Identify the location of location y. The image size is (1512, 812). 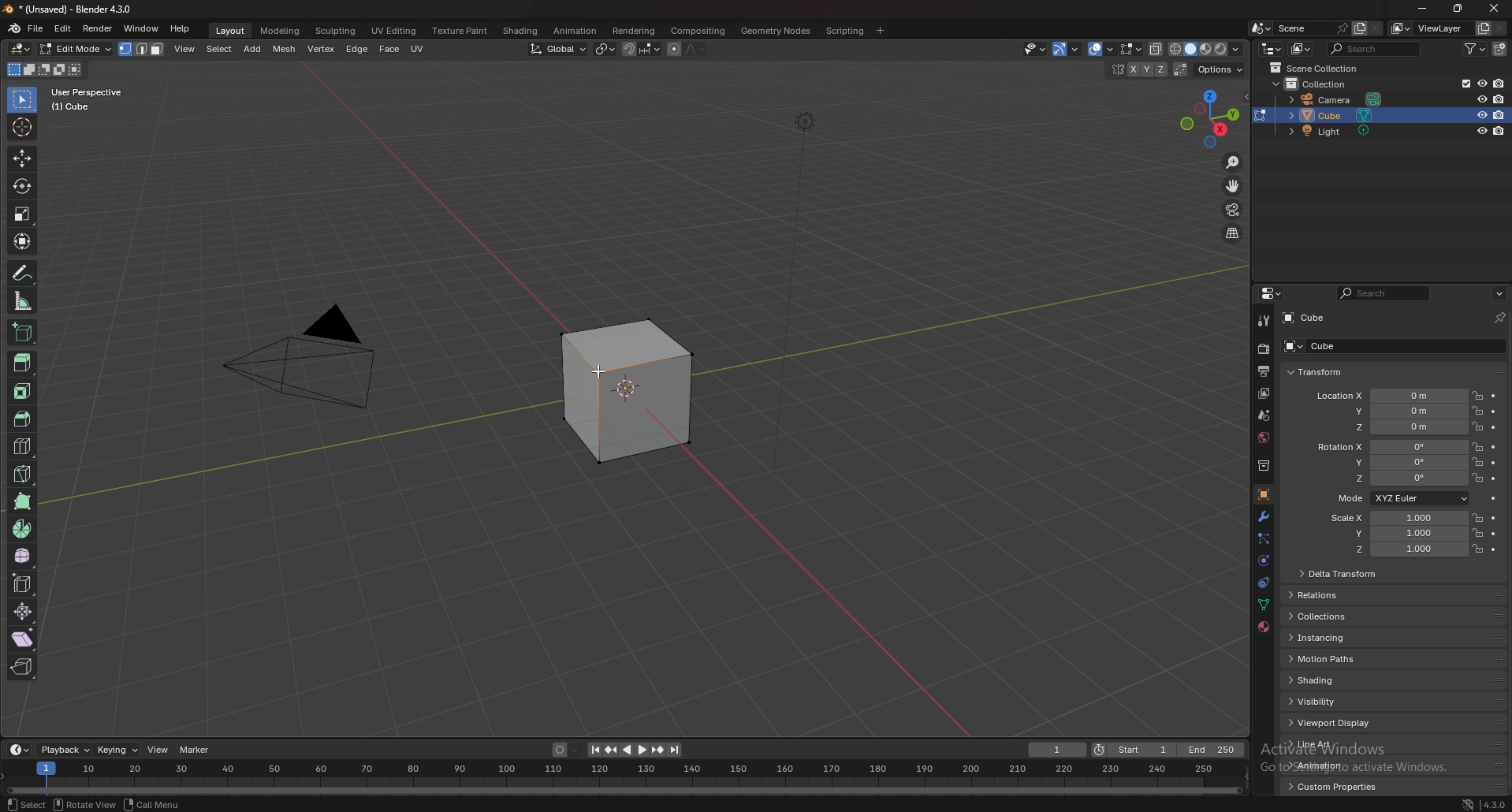
(1389, 411).